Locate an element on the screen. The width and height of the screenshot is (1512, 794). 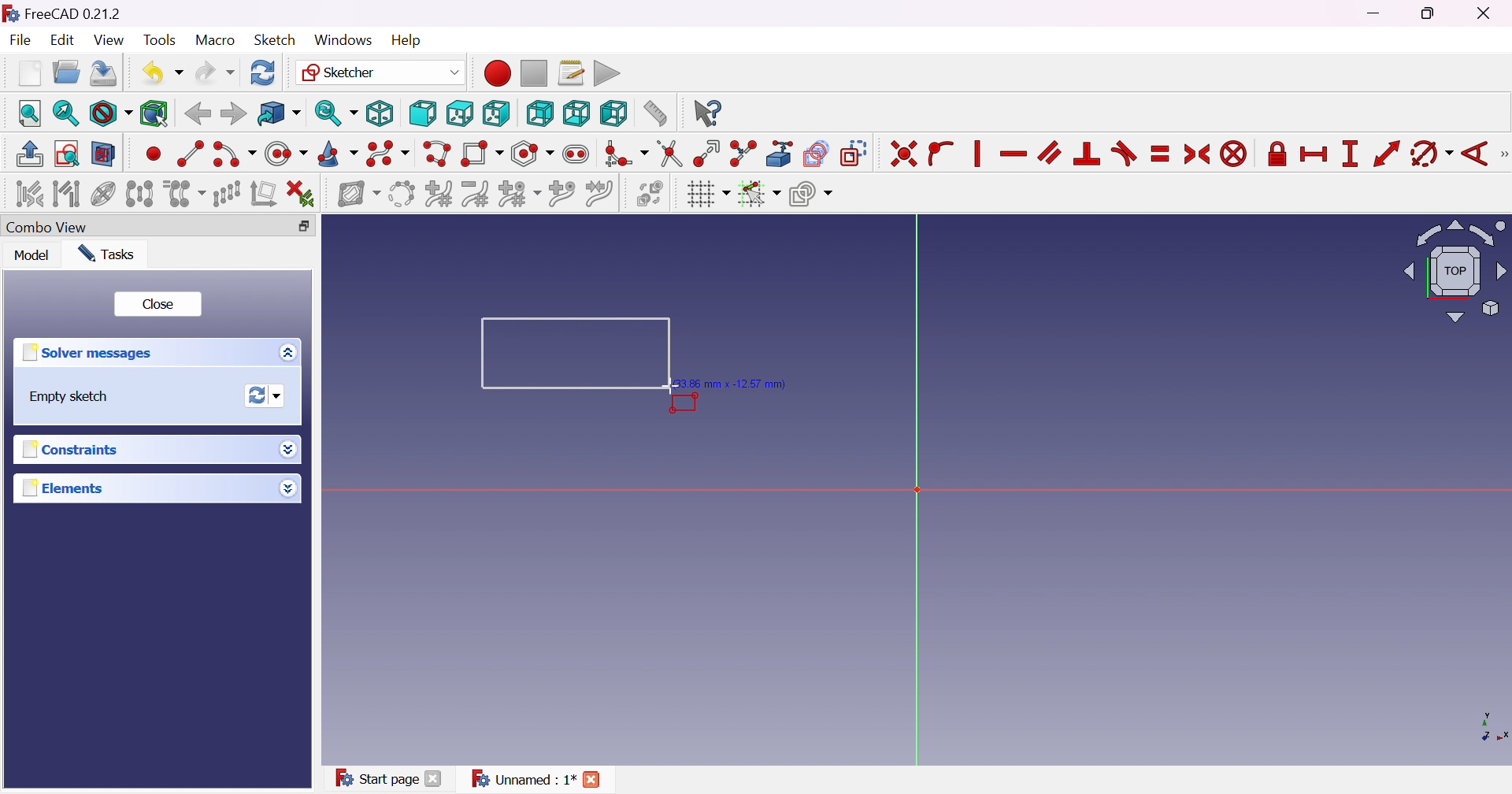
Fit all is located at coordinates (30, 113).